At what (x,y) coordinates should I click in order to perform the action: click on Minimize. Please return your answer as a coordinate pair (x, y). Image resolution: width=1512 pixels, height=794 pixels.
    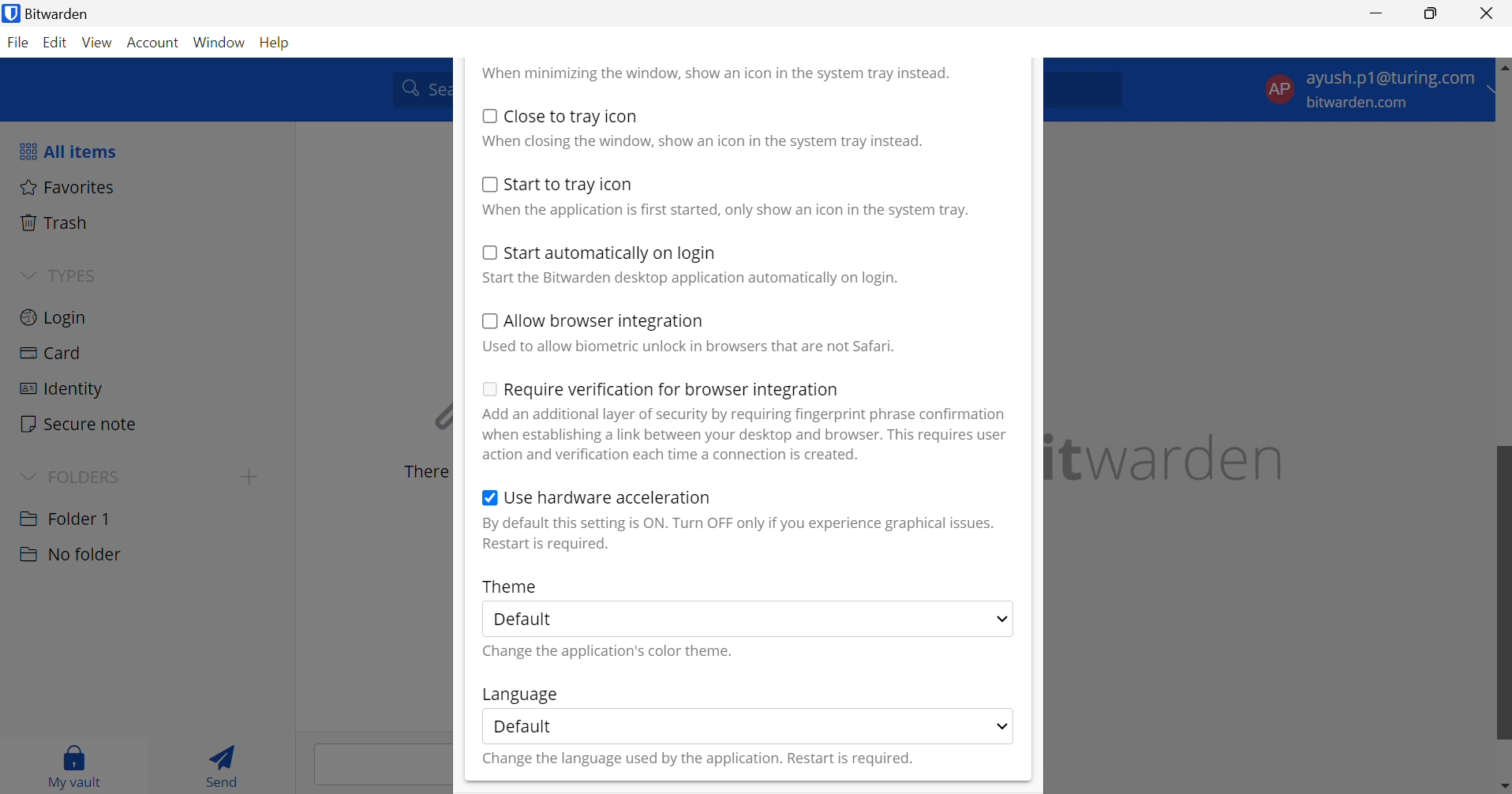
    Looking at the image, I should click on (1377, 12).